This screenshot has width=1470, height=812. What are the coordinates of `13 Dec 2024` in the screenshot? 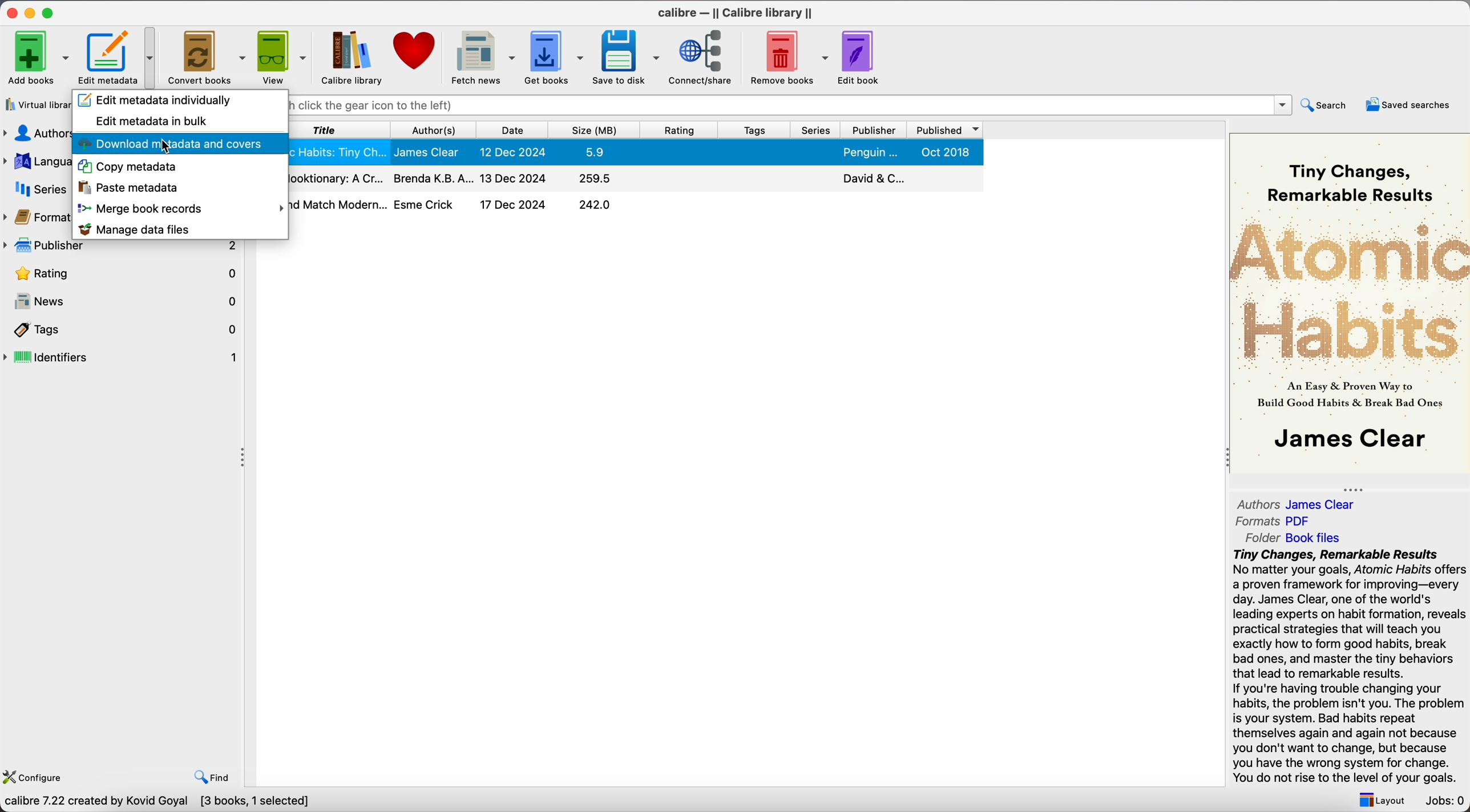 It's located at (514, 177).